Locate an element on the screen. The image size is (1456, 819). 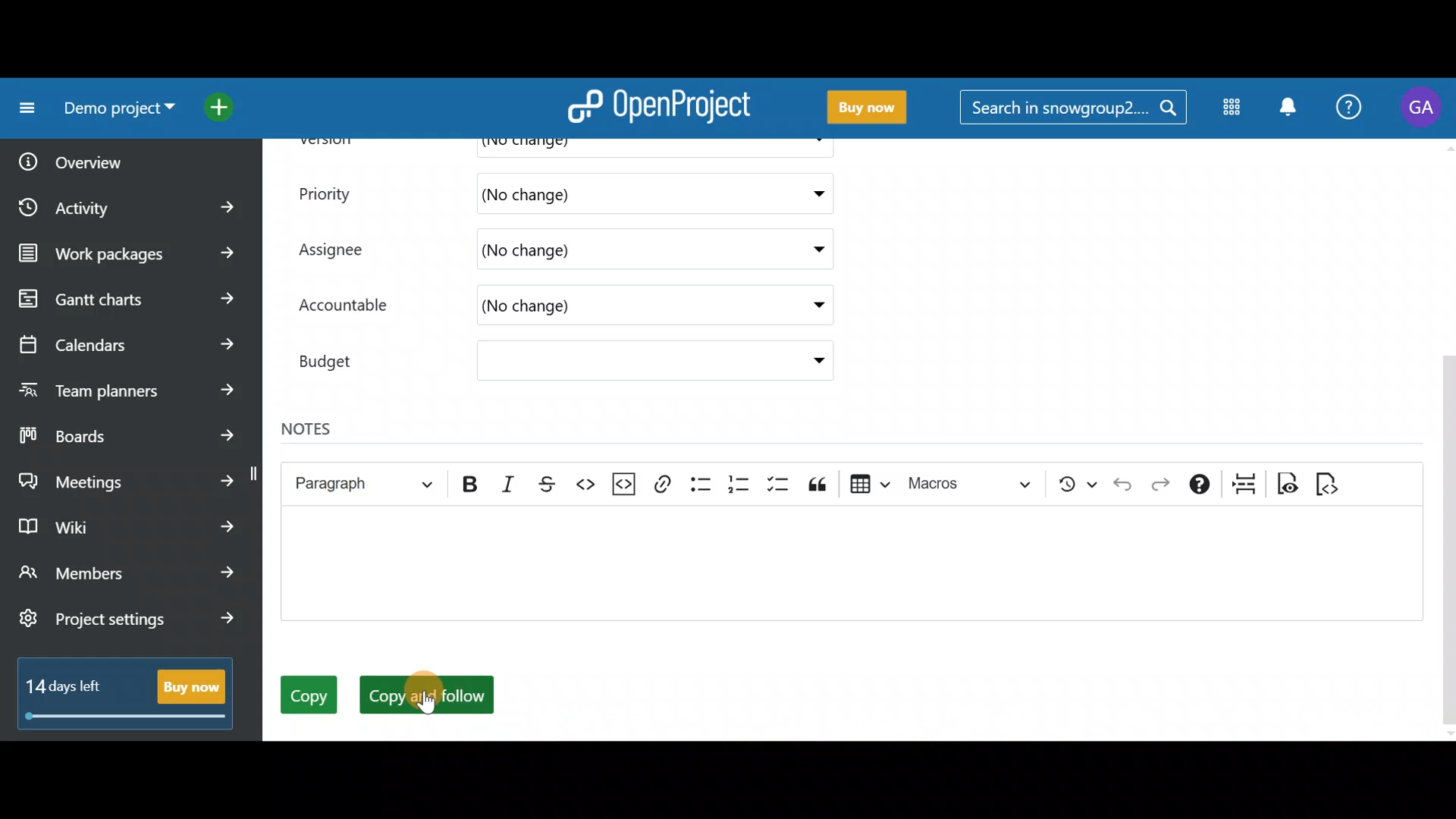
Text editor is located at coordinates (837, 570).